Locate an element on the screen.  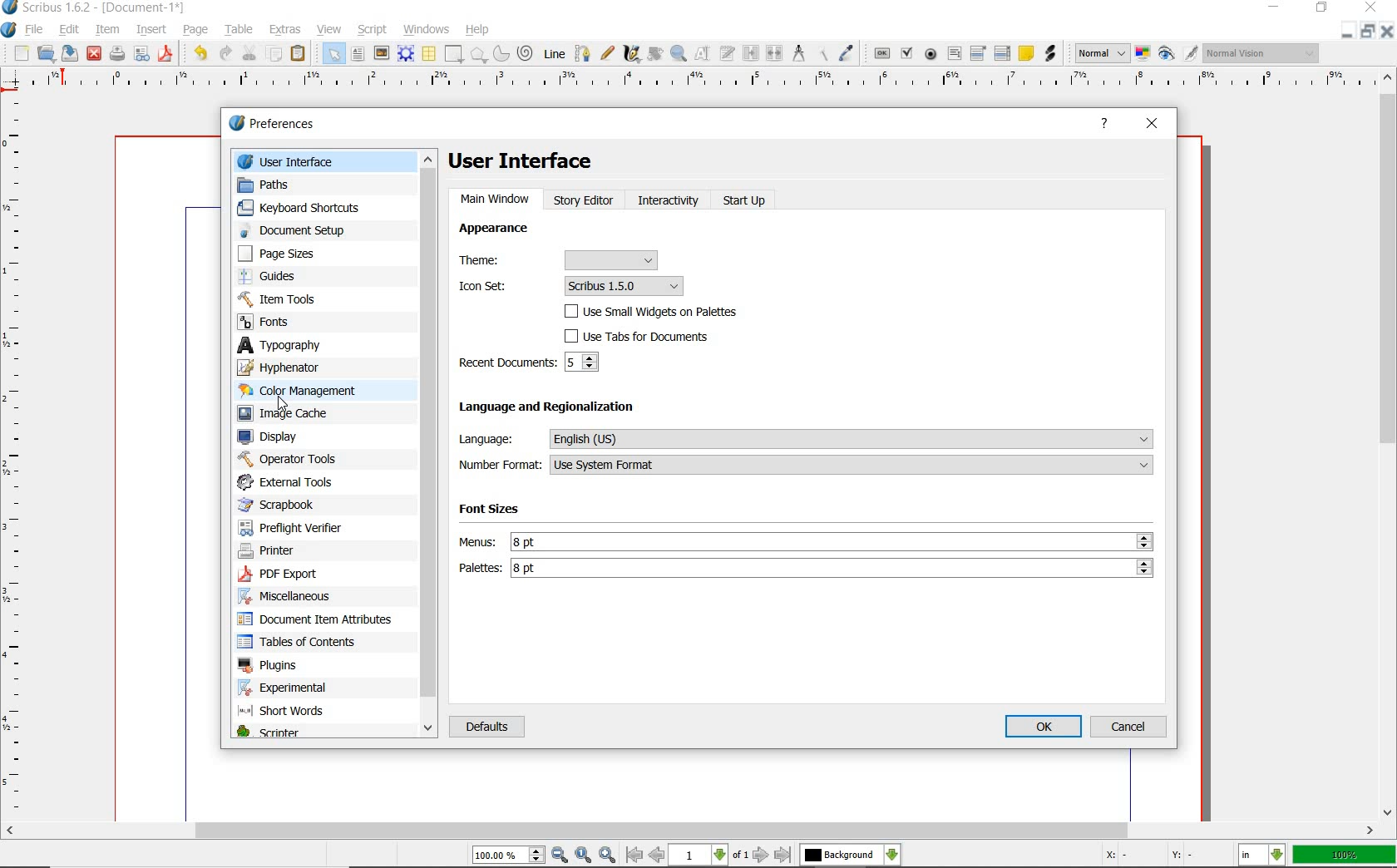
scribus 1.6.2 - [document-1*] is located at coordinates (96, 8).